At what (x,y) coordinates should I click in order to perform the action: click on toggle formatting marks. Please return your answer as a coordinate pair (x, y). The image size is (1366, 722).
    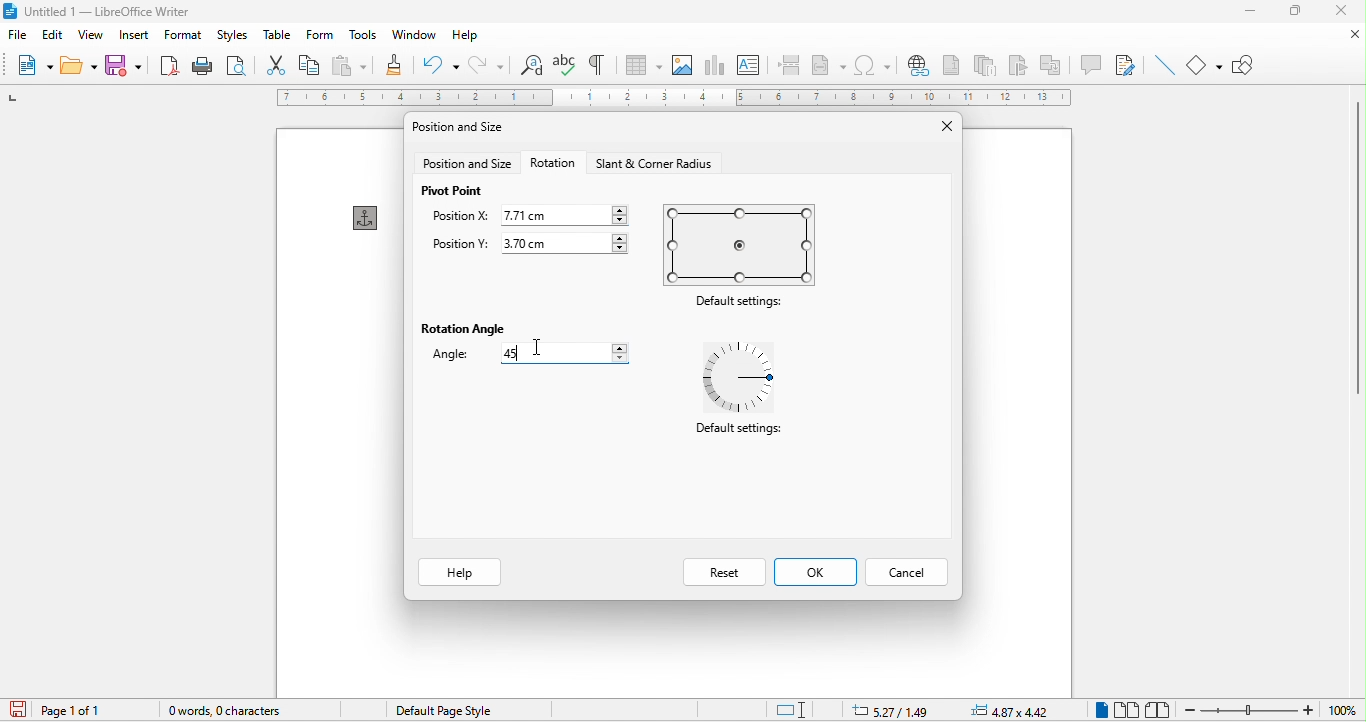
    Looking at the image, I should click on (600, 63).